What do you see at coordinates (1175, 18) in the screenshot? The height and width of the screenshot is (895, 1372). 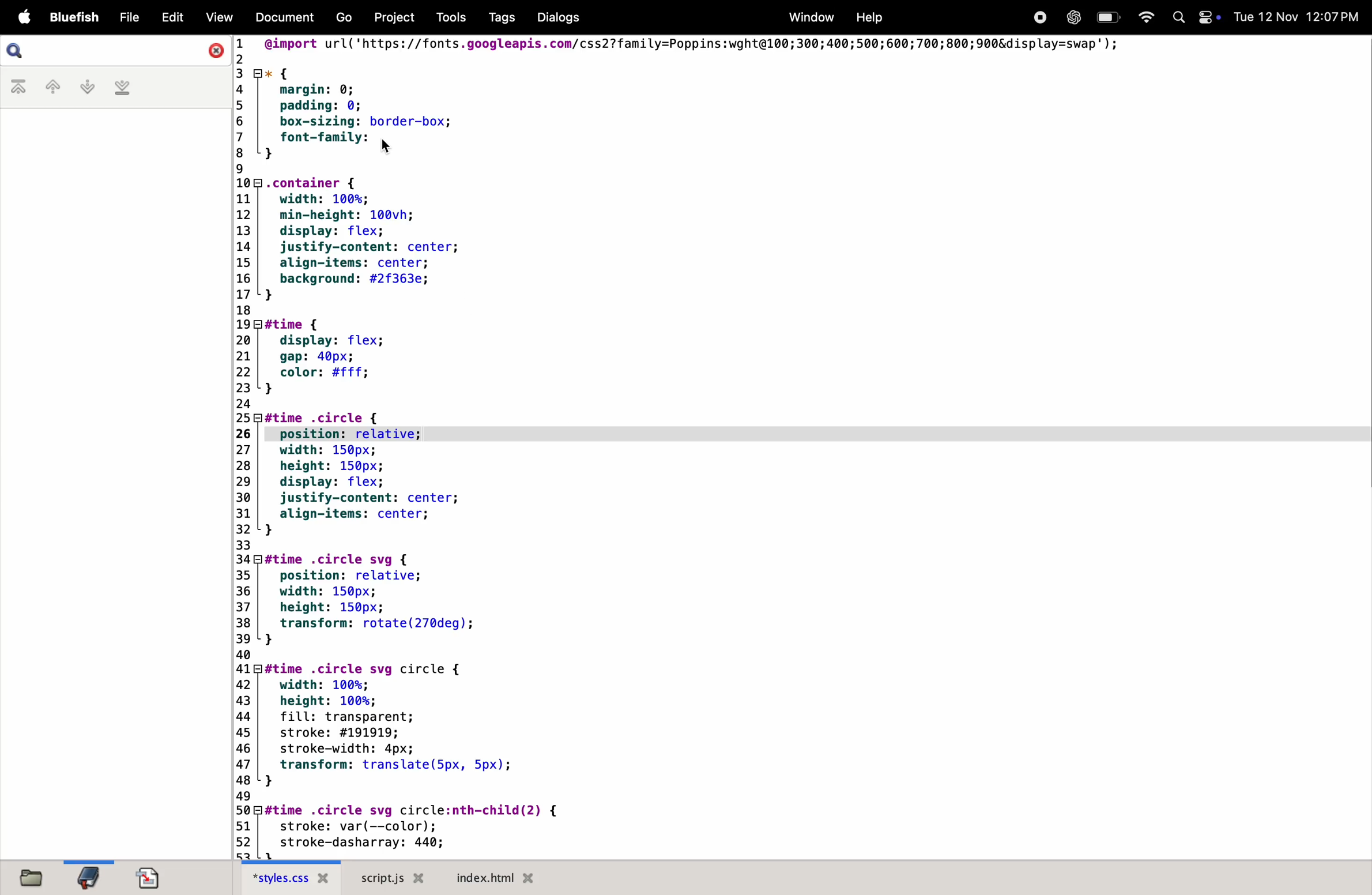 I see `Spotlight` at bounding box center [1175, 18].